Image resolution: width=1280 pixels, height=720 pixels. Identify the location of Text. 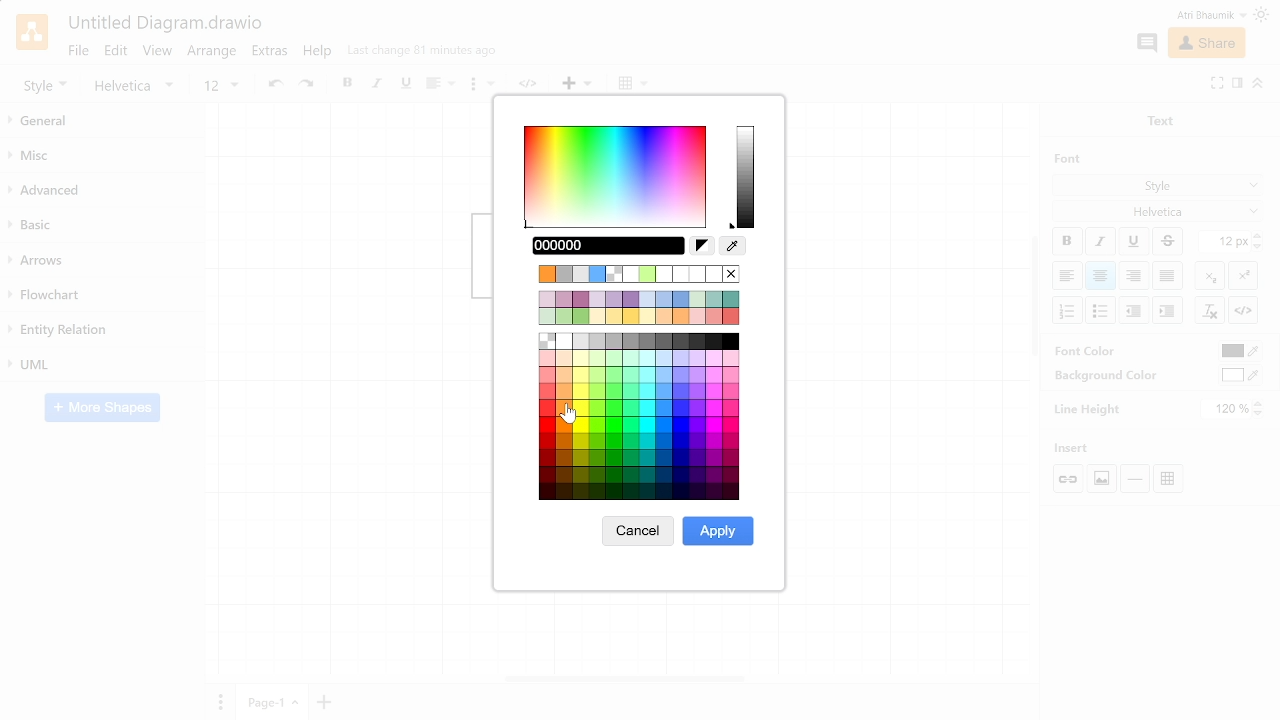
(1156, 119).